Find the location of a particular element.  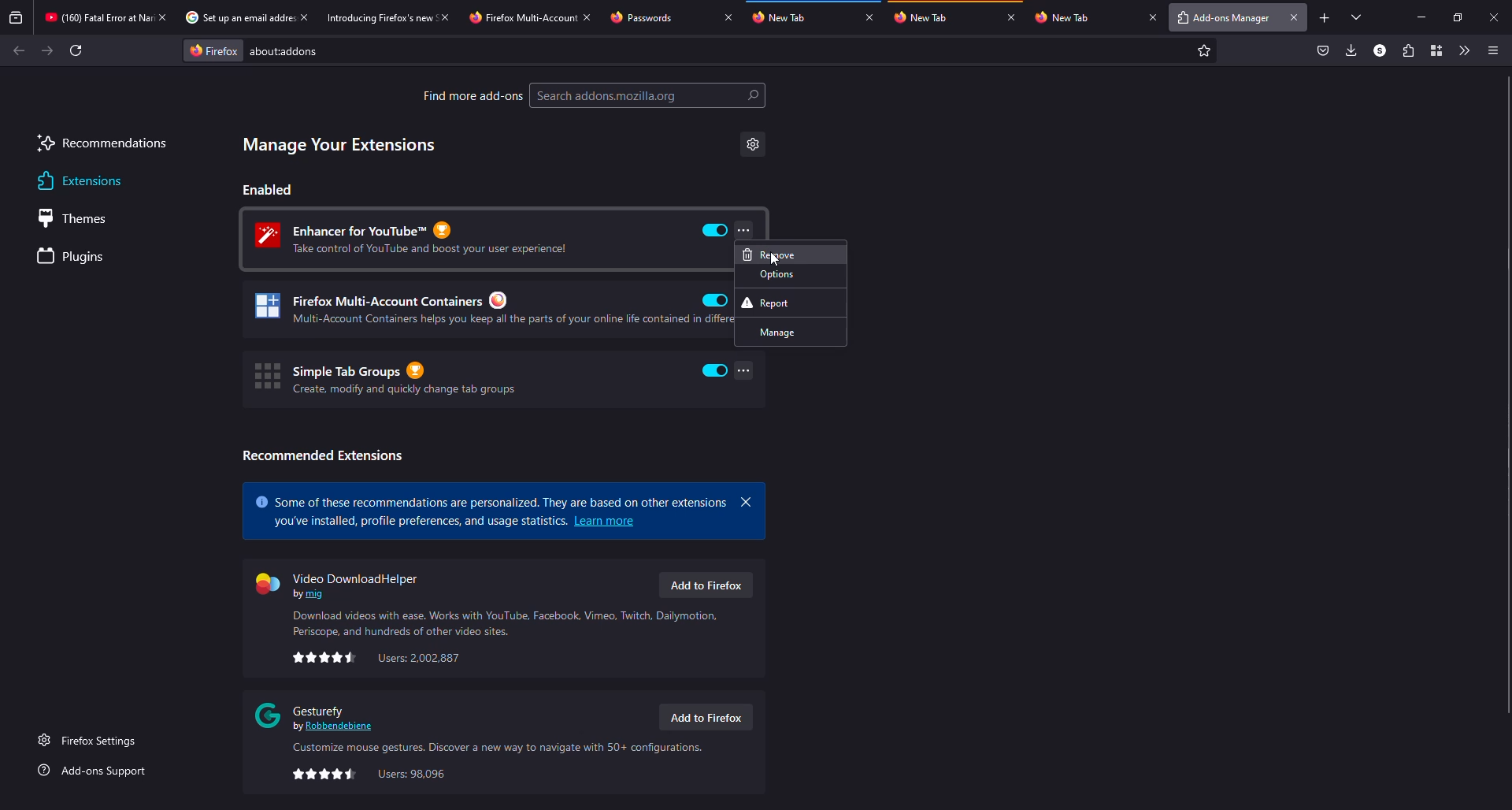

find more is located at coordinates (472, 95).